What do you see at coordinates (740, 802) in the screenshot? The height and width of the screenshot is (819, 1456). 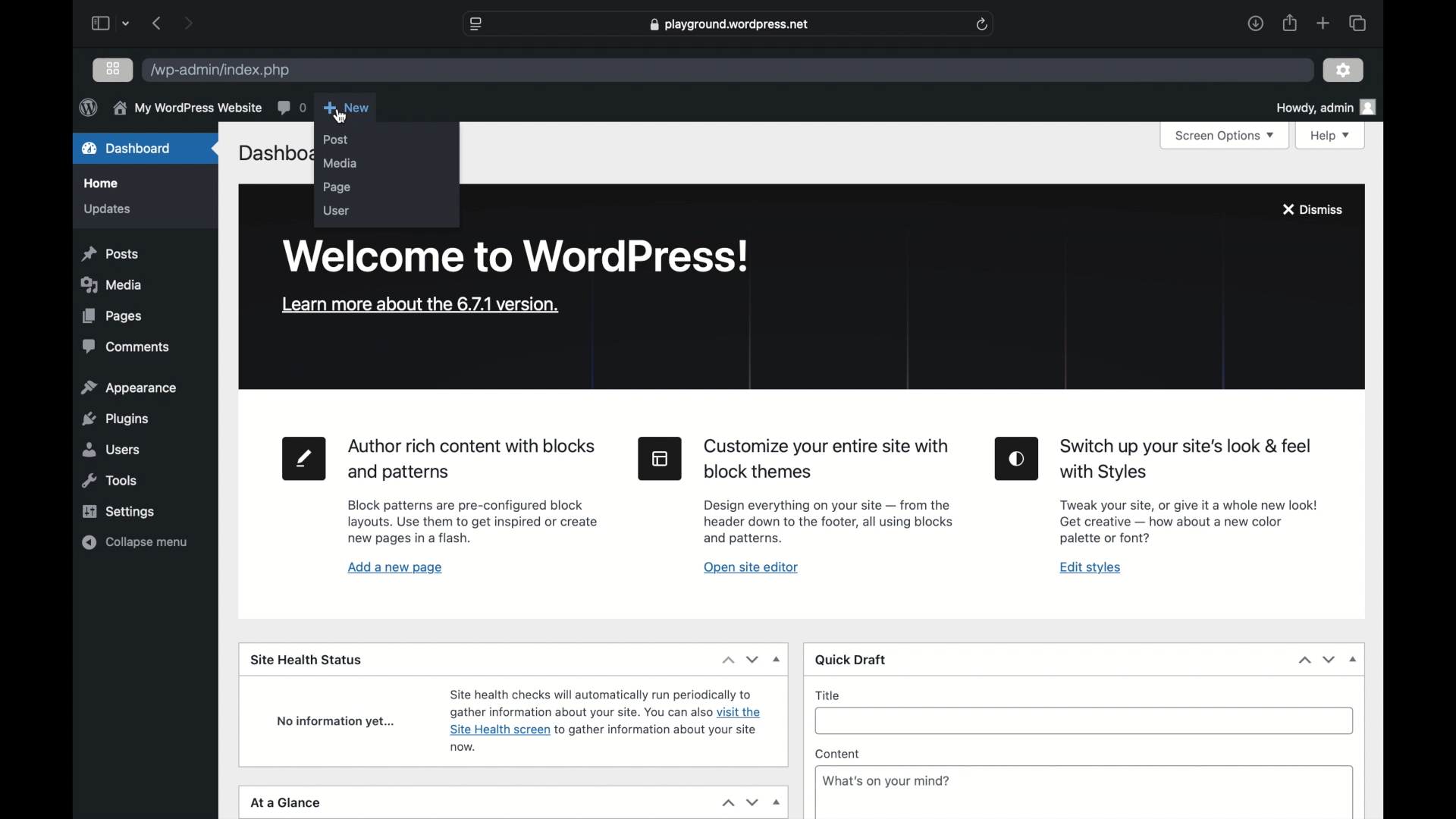 I see `stepper buttons` at bounding box center [740, 802].